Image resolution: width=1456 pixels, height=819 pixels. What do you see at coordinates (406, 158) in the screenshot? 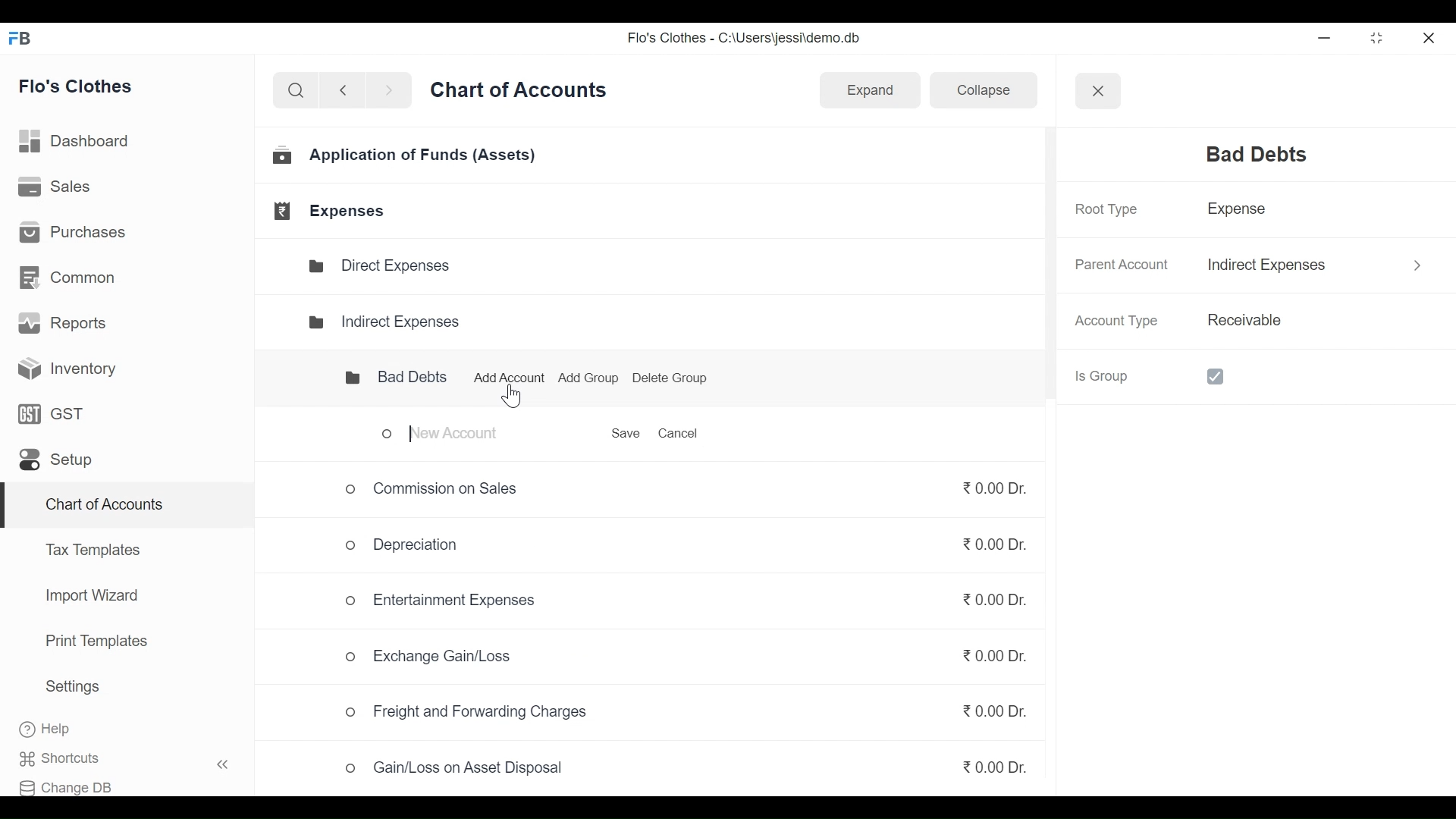
I see `Application of Funds (Assets)` at bounding box center [406, 158].